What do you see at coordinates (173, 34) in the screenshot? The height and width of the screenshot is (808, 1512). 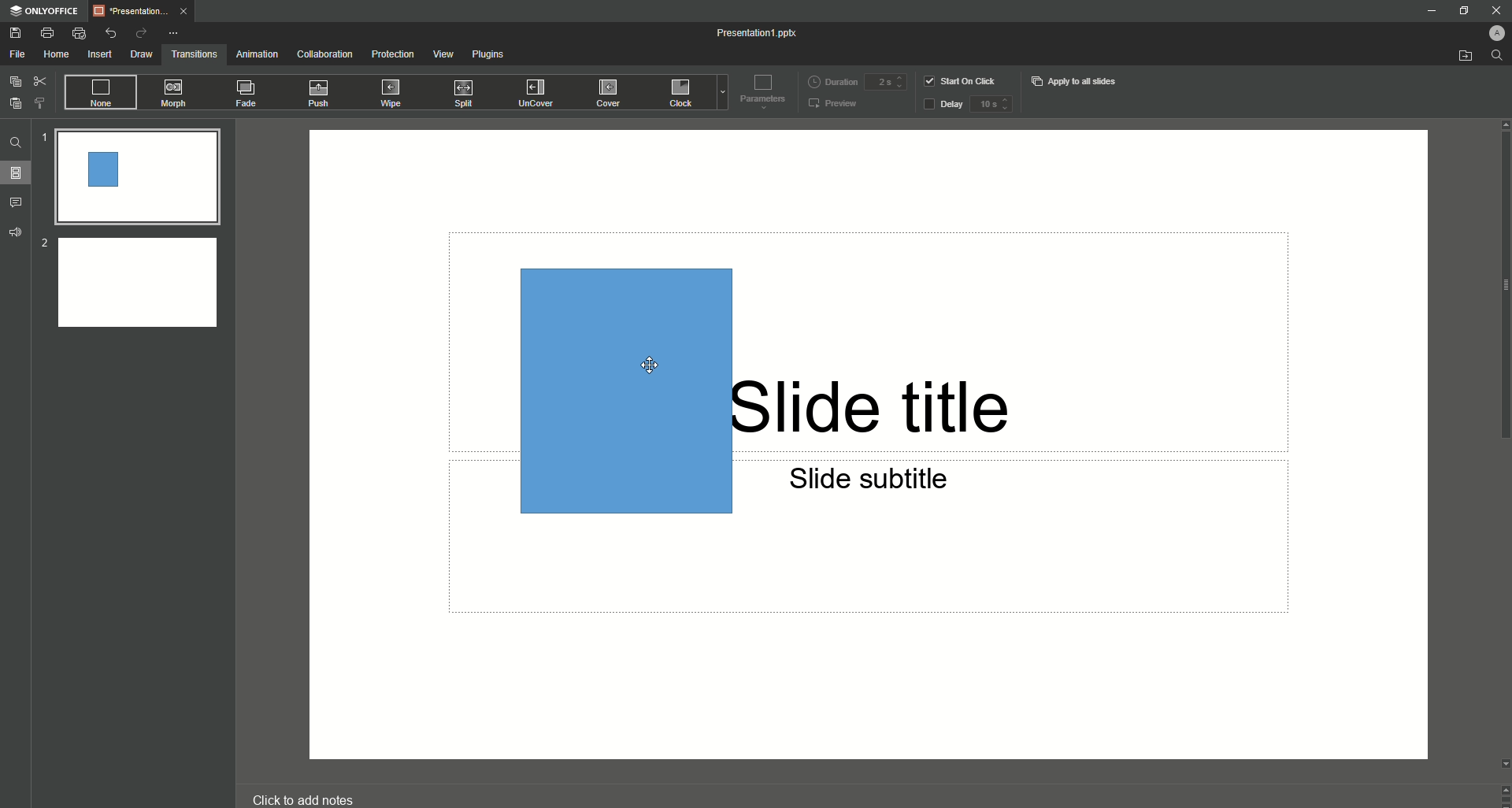 I see `More Options` at bounding box center [173, 34].